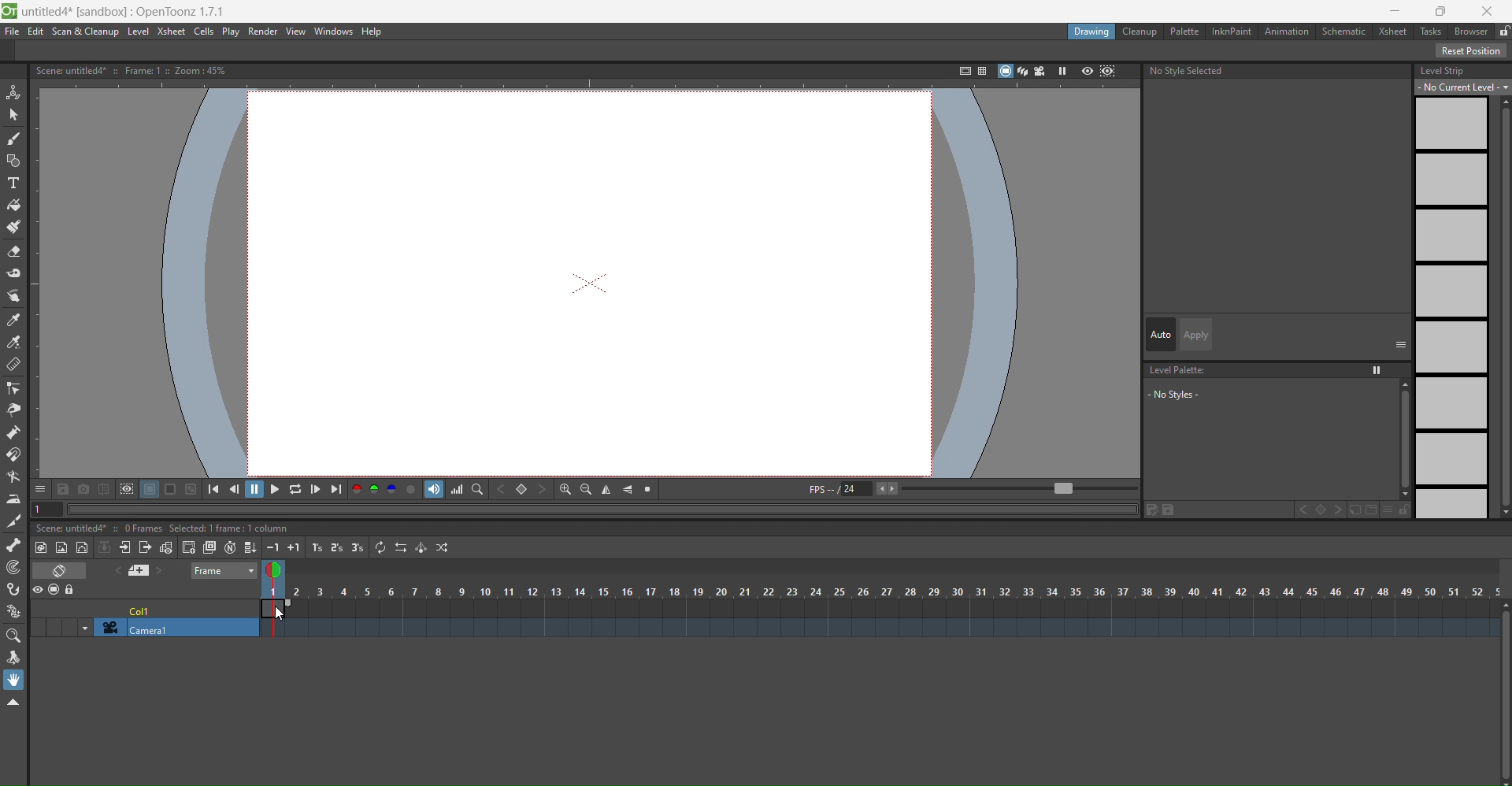 The height and width of the screenshot is (786, 1512). What do you see at coordinates (13, 115) in the screenshot?
I see `selection tool ` at bounding box center [13, 115].